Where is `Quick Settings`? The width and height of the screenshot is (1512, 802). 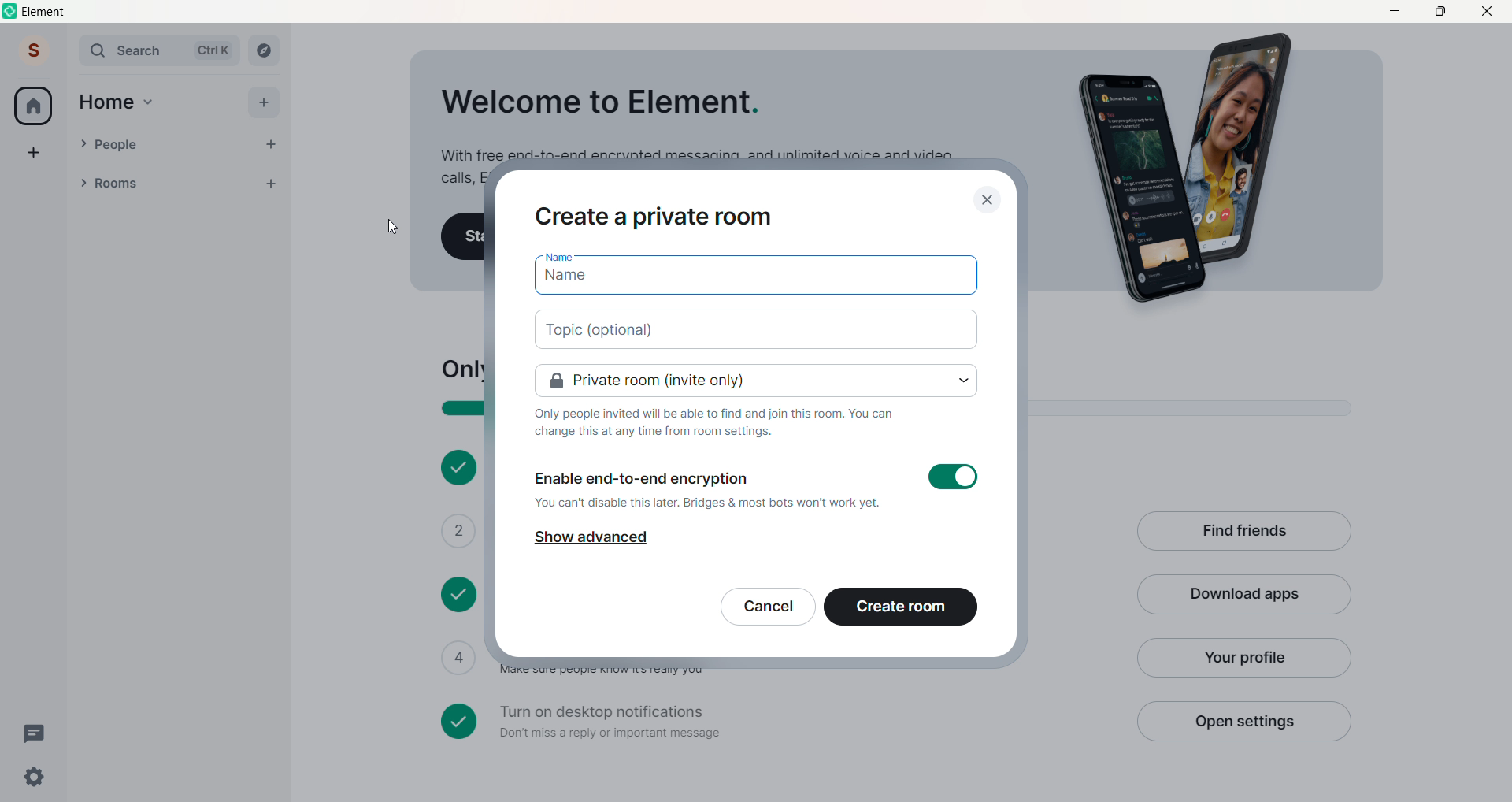
Quick Settings is located at coordinates (35, 777).